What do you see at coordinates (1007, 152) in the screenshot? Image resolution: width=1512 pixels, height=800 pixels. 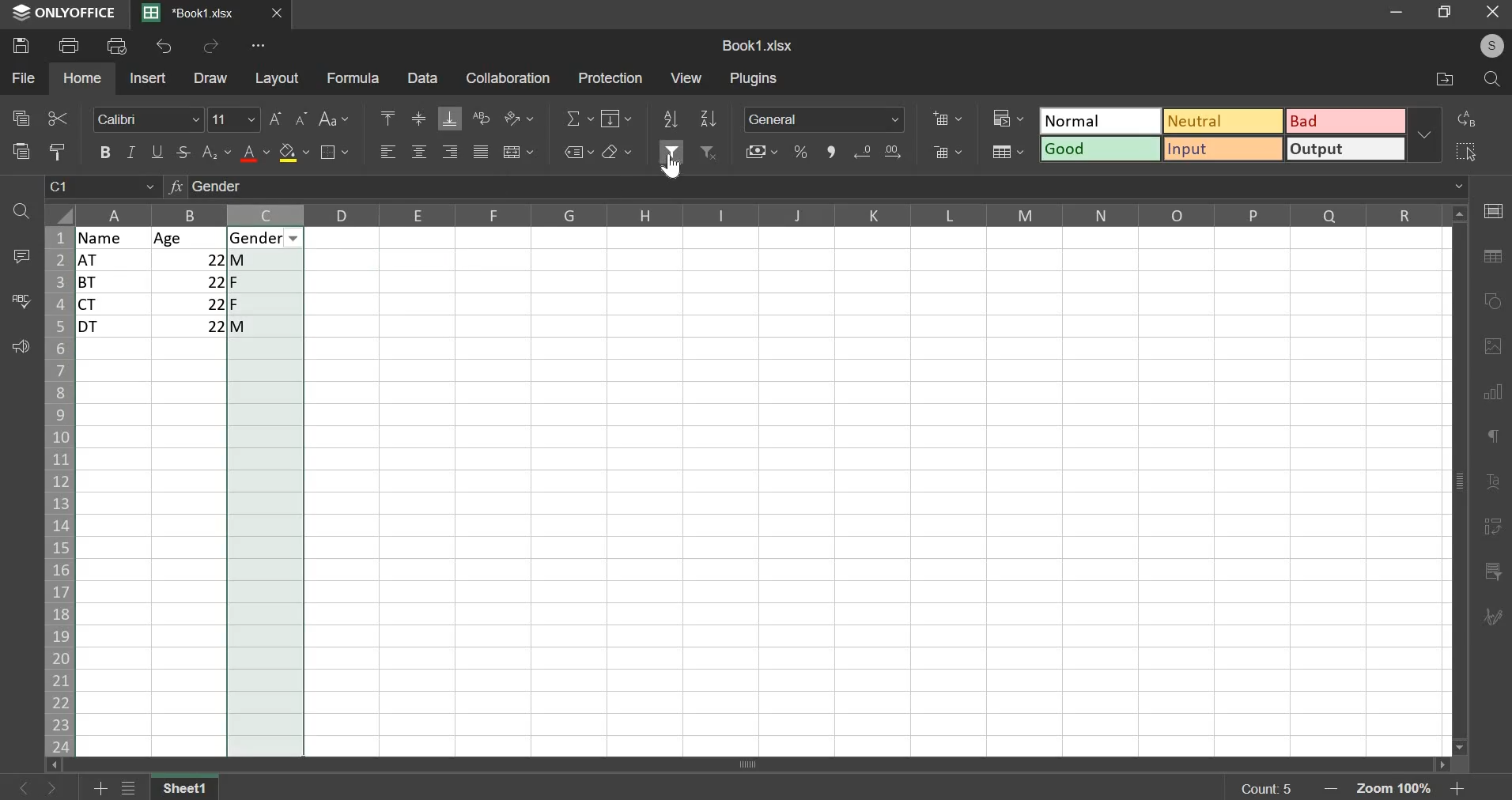 I see `format as table template` at bounding box center [1007, 152].